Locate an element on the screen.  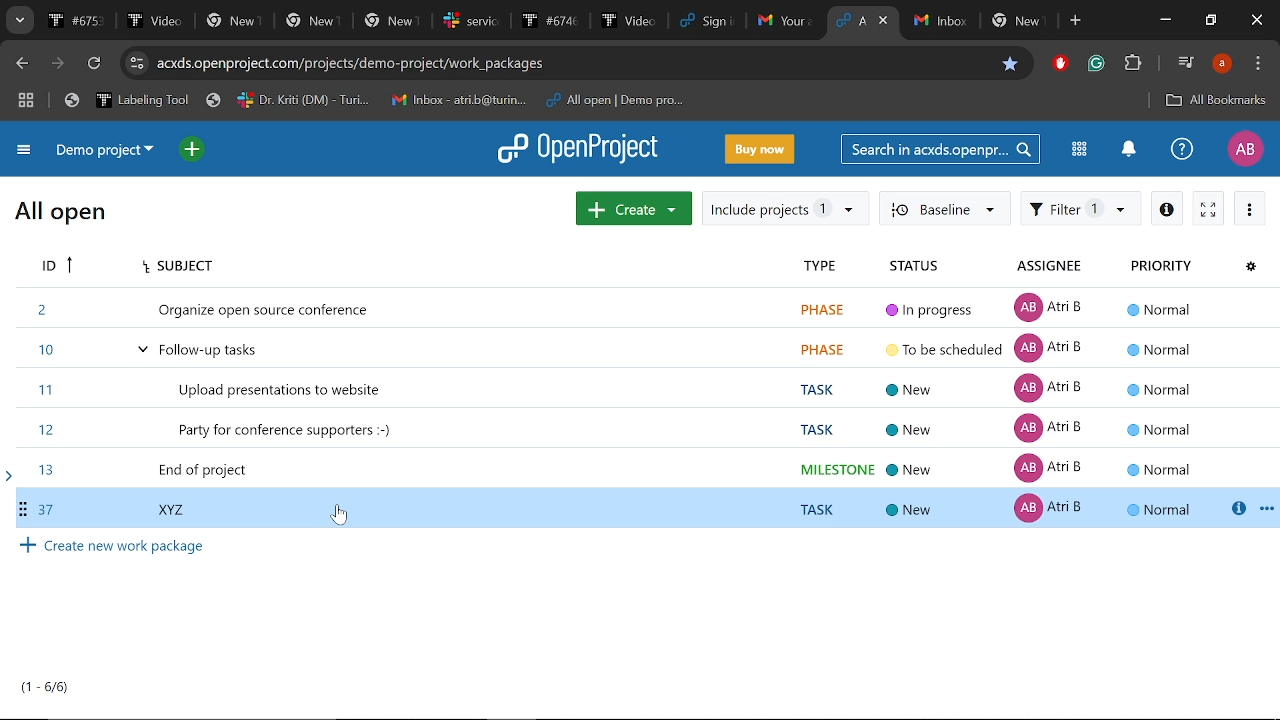
Activate zen mode is located at coordinates (1209, 207).